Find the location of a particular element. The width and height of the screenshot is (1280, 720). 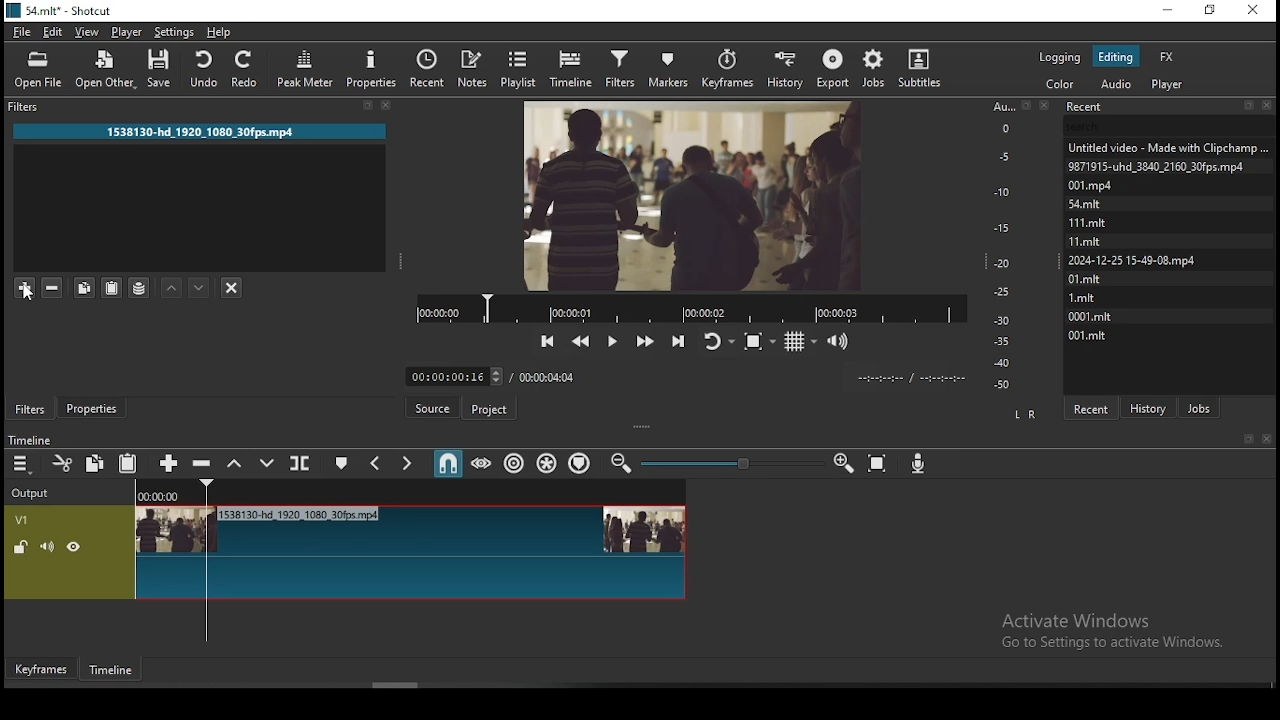

ripple all tracks is located at coordinates (548, 464).